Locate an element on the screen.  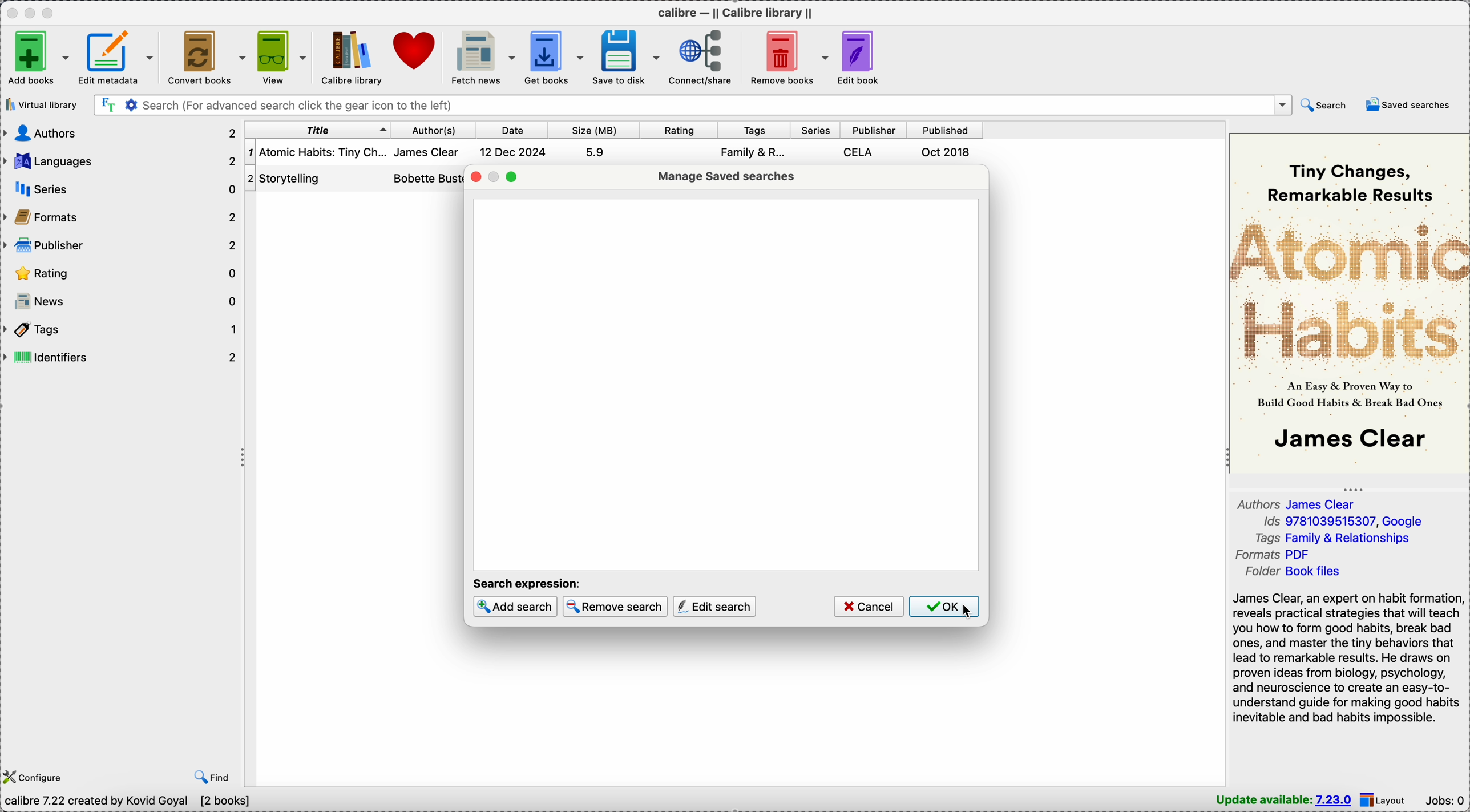
atomic habits is located at coordinates (316, 152).